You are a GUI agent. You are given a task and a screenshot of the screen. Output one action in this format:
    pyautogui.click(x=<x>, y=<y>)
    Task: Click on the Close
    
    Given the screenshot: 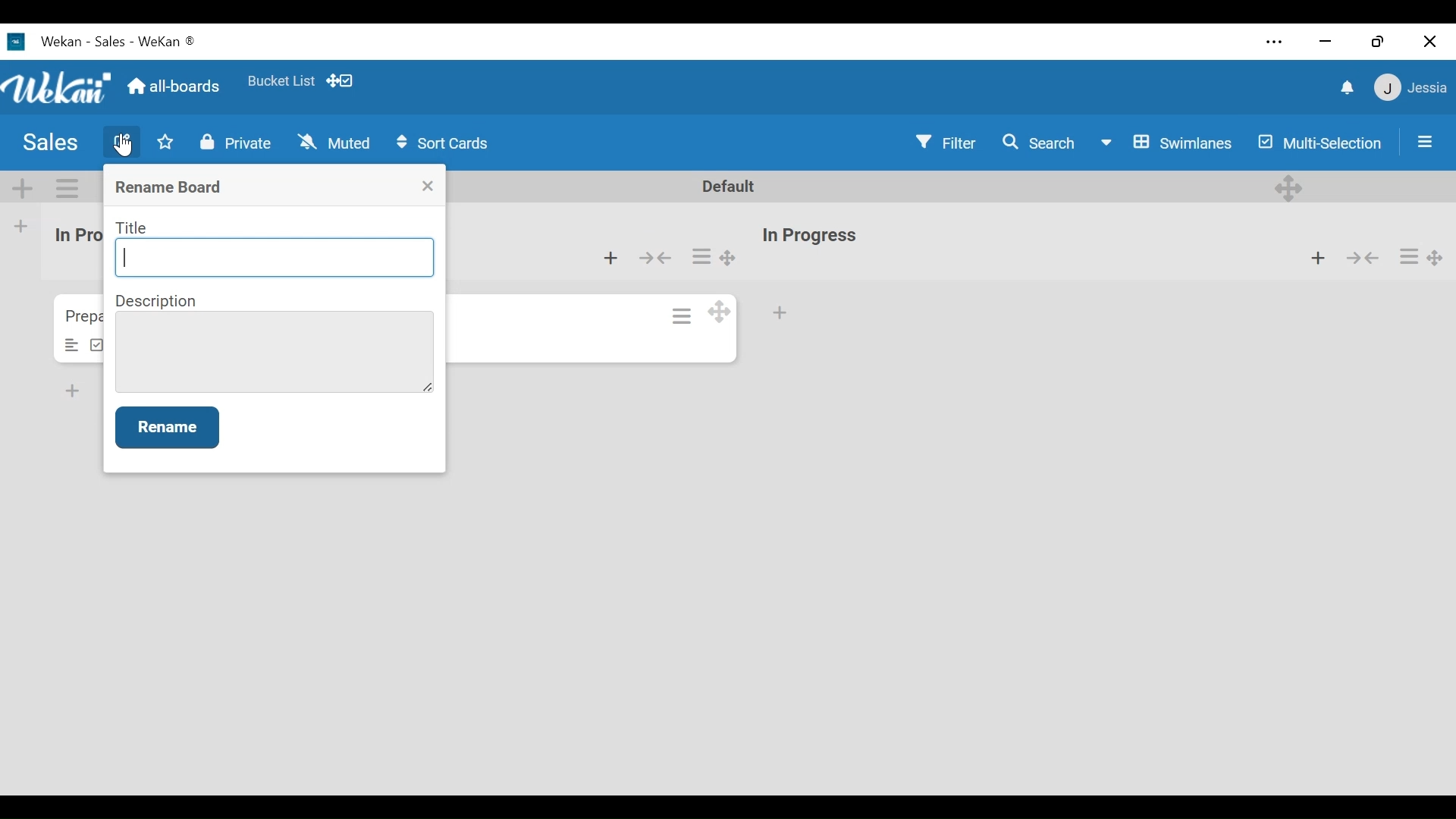 What is the action you would take?
    pyautogui.click(x=428, y=186)
    